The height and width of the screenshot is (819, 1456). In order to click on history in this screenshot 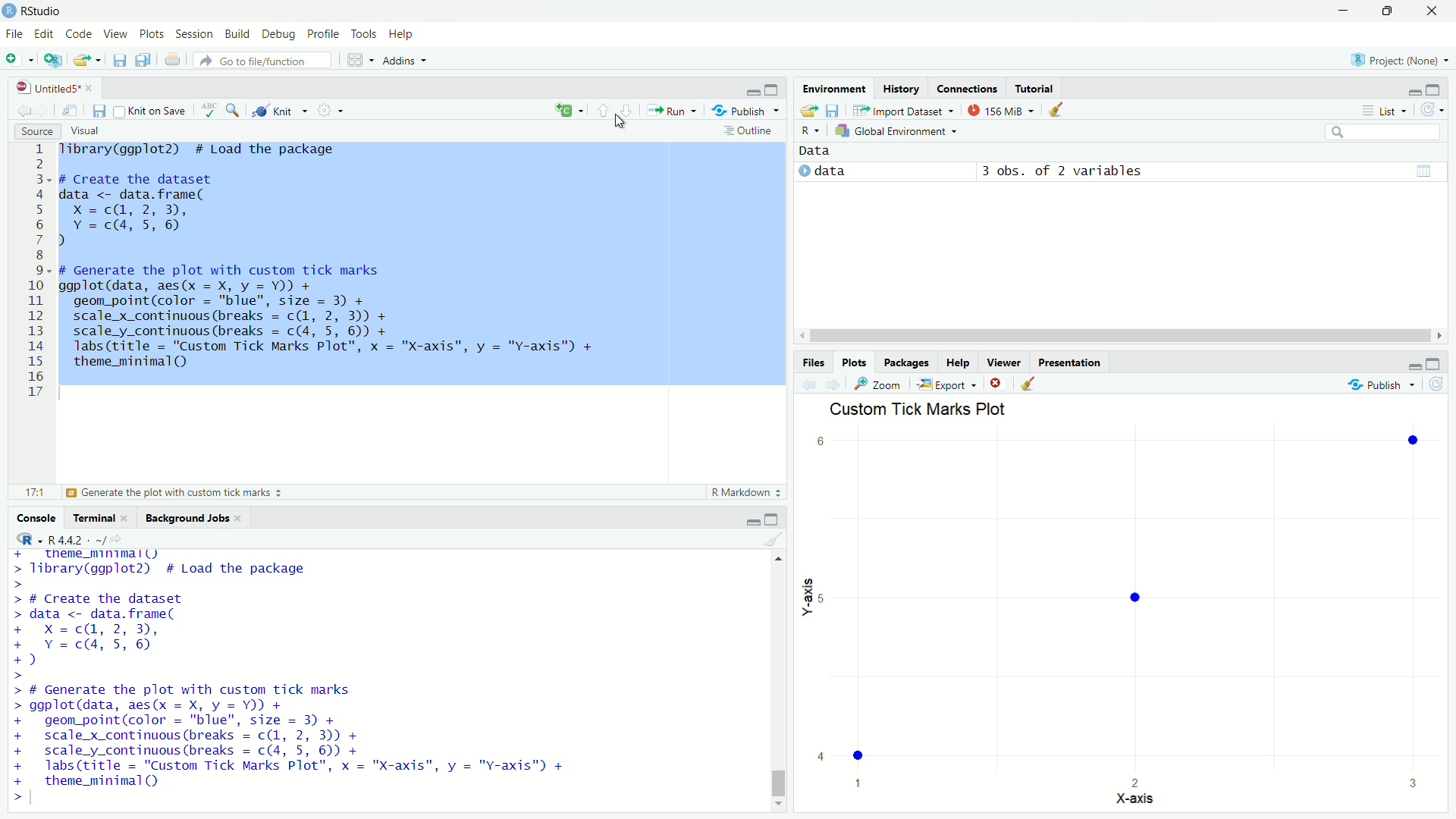, I will do `click(899, 87)`.